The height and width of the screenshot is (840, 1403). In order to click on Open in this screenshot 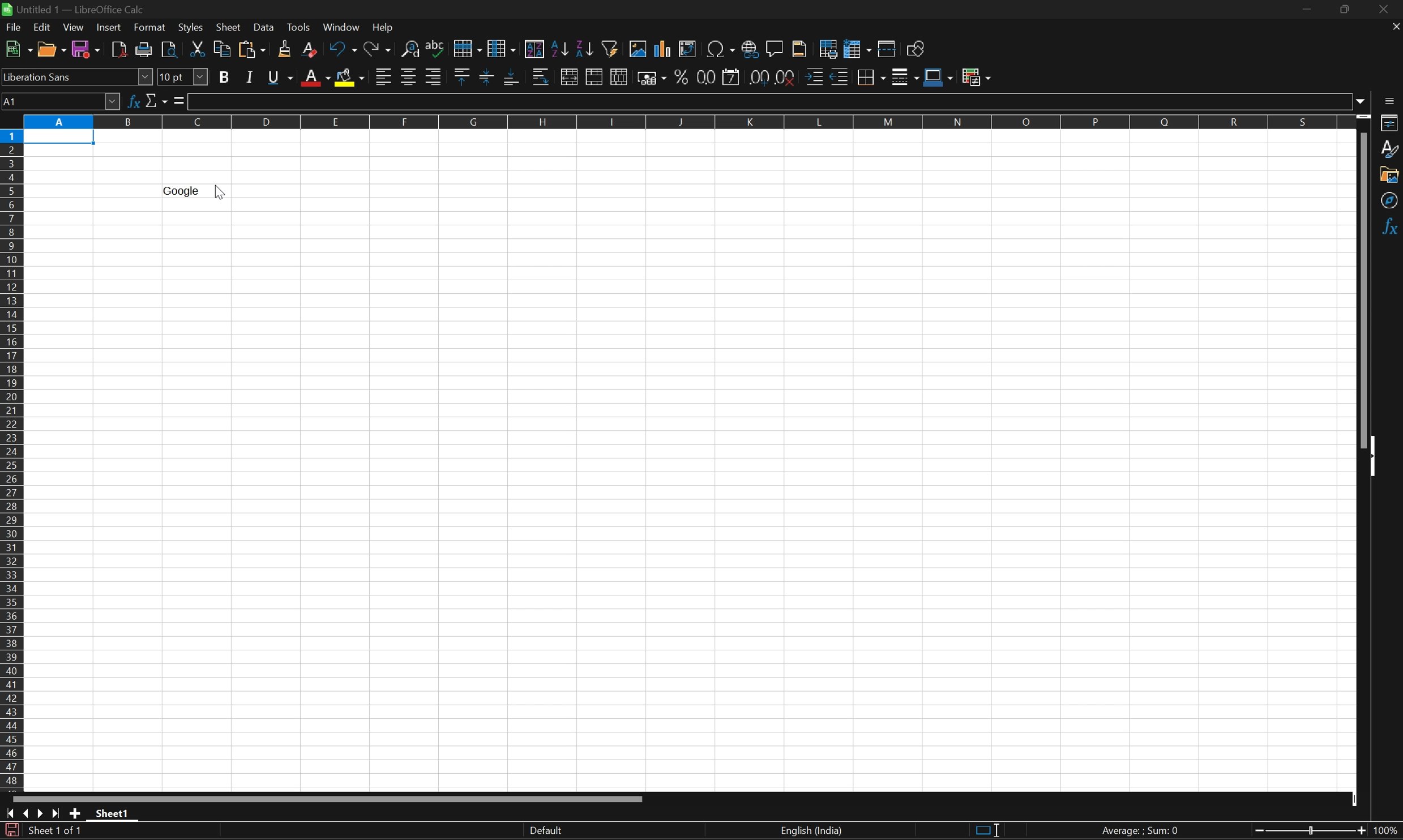, I will do `click(52, 49)`.